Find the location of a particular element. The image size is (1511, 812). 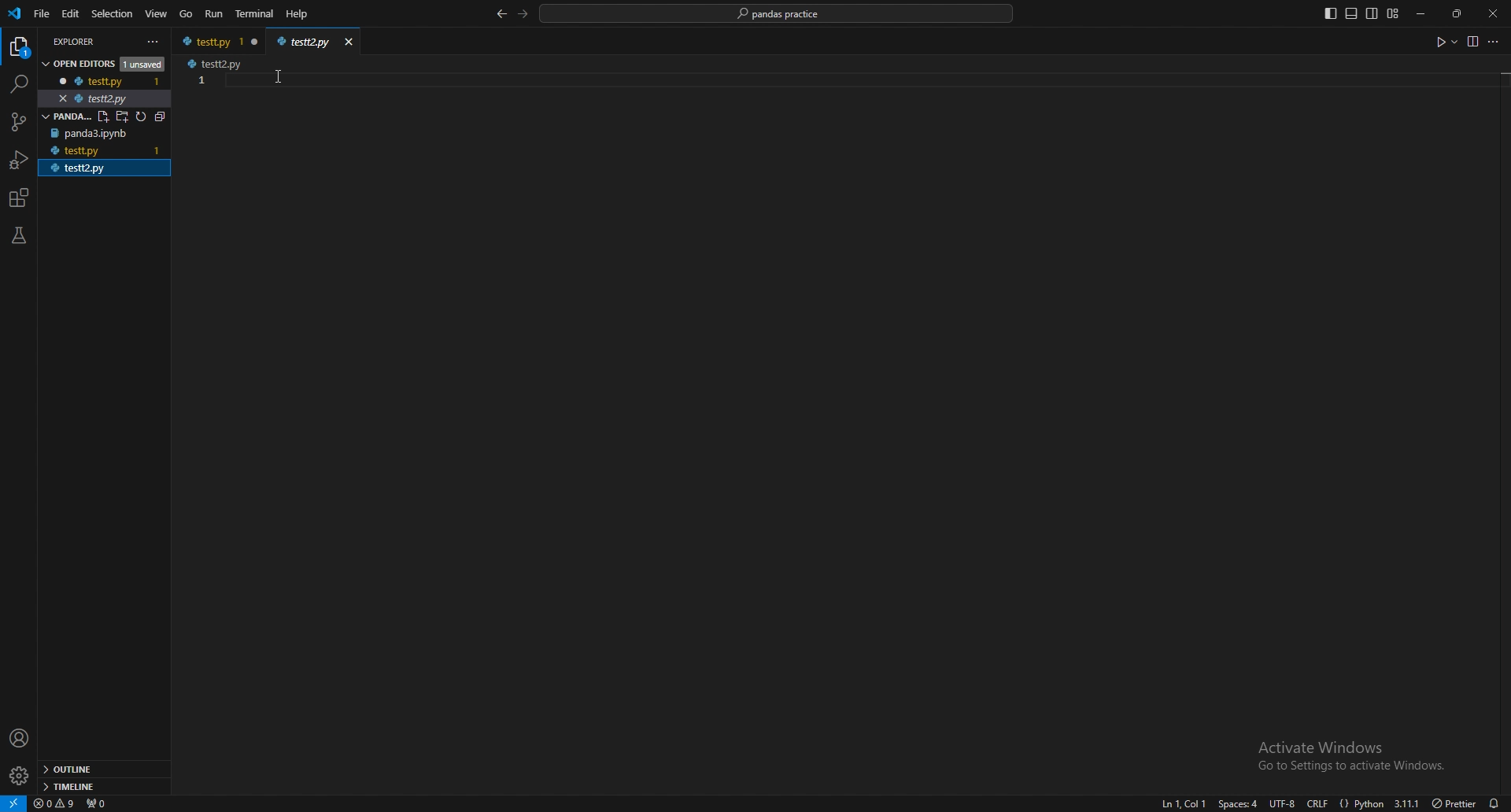

testt2.py is located at coordinates (98, 168).